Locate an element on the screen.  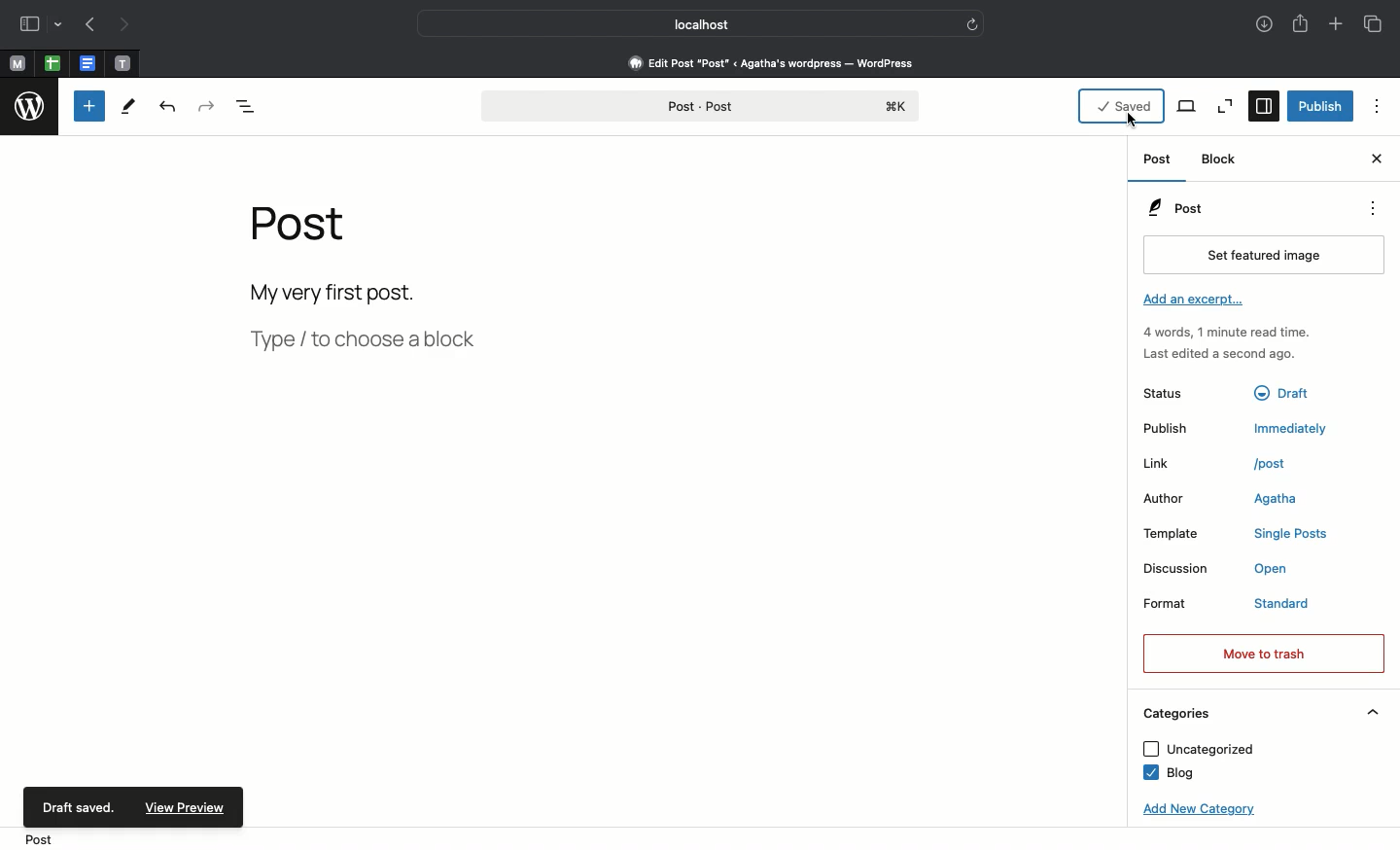
View preview is located at coordinates (191, 807).